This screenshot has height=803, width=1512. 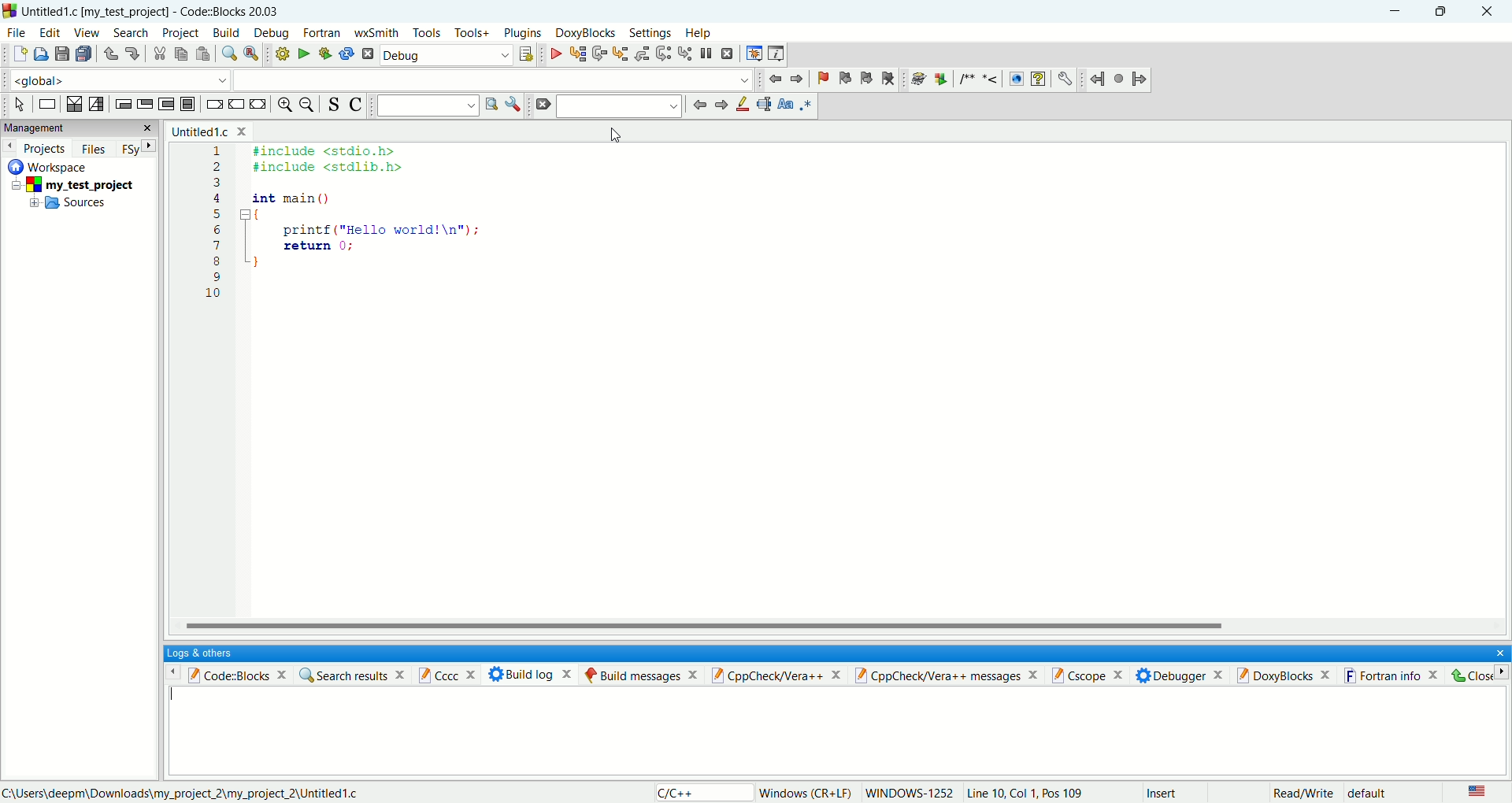 I want to click on CppCheck/vera++, so click(x=777, y=675).